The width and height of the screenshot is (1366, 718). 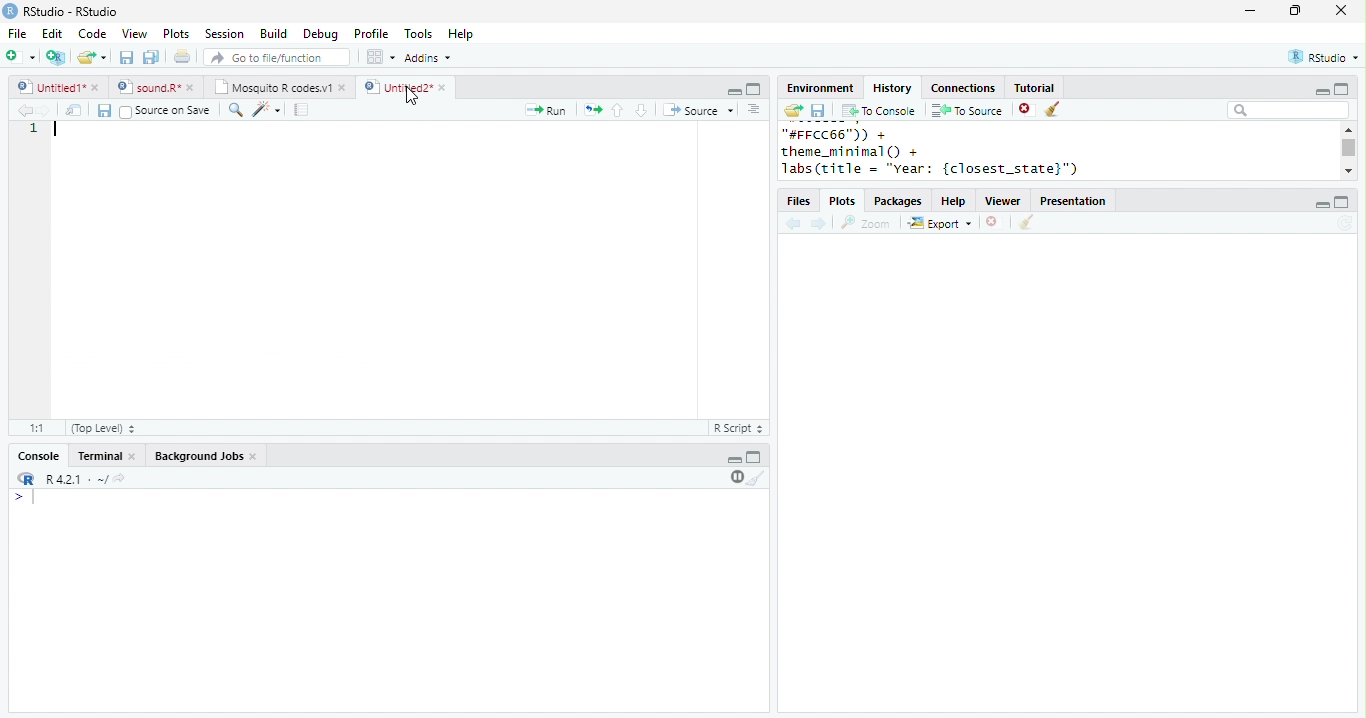 I want to click on Profile, so click(x=371, y=33).